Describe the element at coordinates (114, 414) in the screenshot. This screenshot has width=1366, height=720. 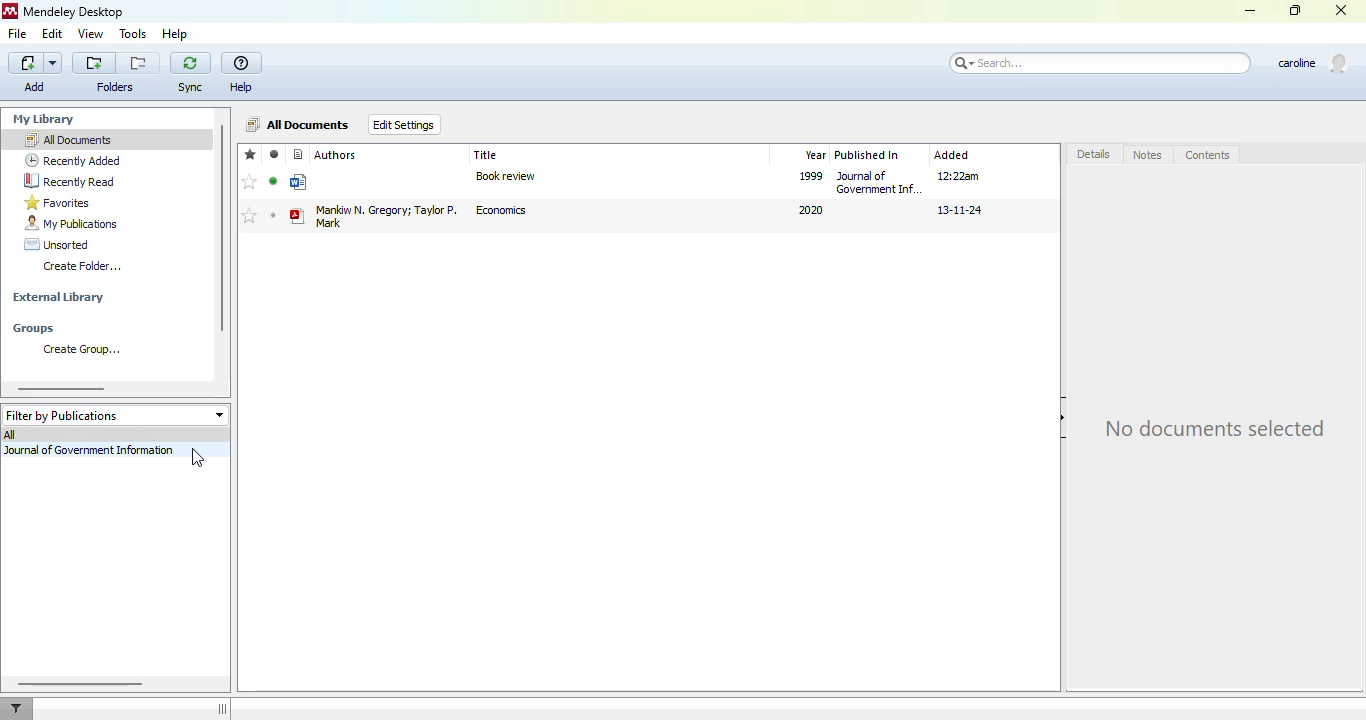
I see `filter by publications` at that location.